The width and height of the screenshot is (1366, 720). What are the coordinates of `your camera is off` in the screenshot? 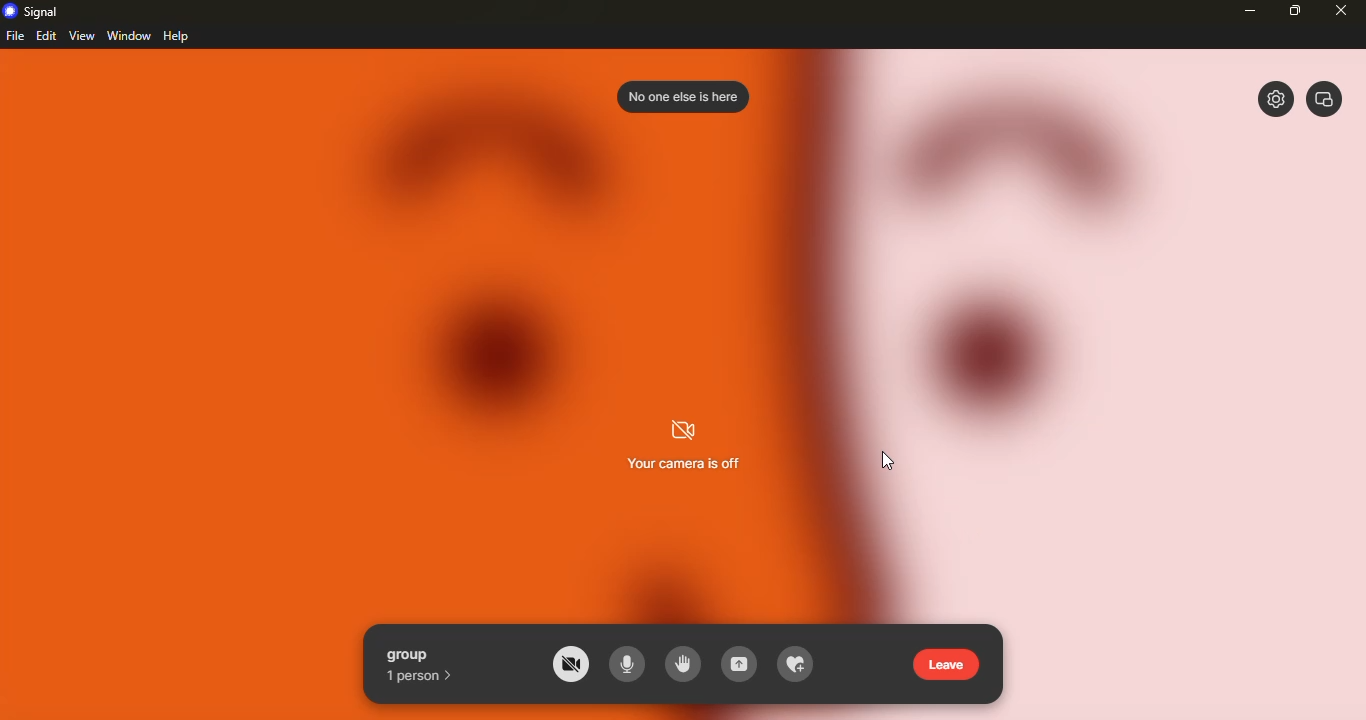 It's located at (681, 463).